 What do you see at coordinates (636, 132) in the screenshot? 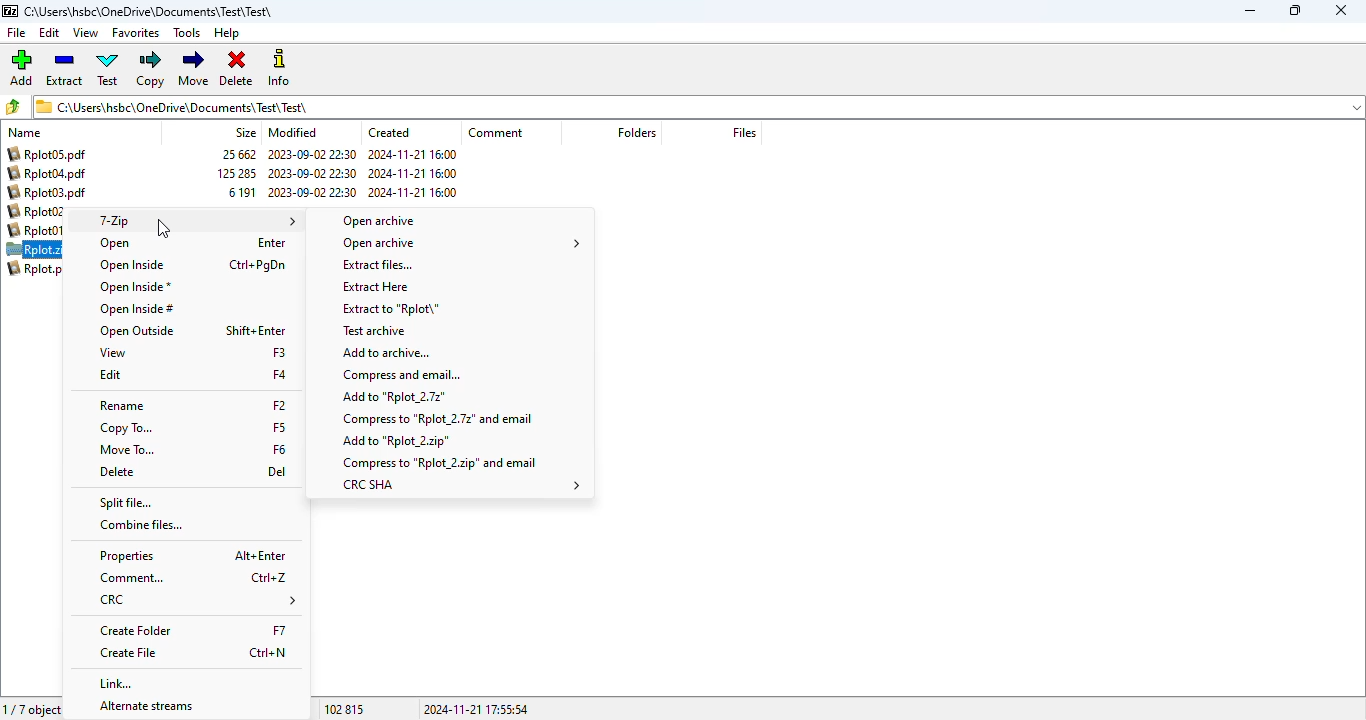
I see `folders` at bounding box center [636, 132].